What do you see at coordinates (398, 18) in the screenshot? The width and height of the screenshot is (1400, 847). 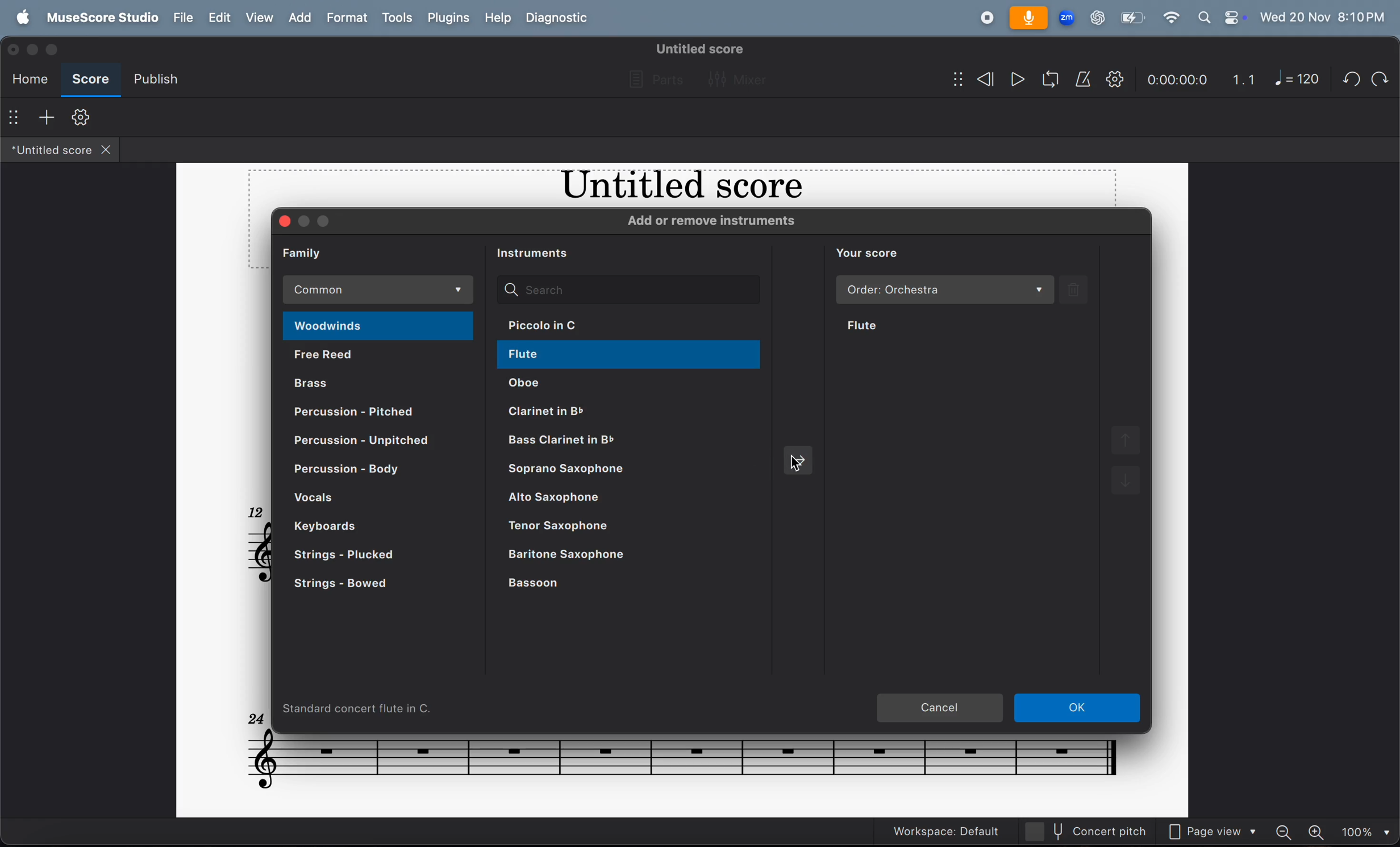 I see `tools` at bounding box center [398, 18].